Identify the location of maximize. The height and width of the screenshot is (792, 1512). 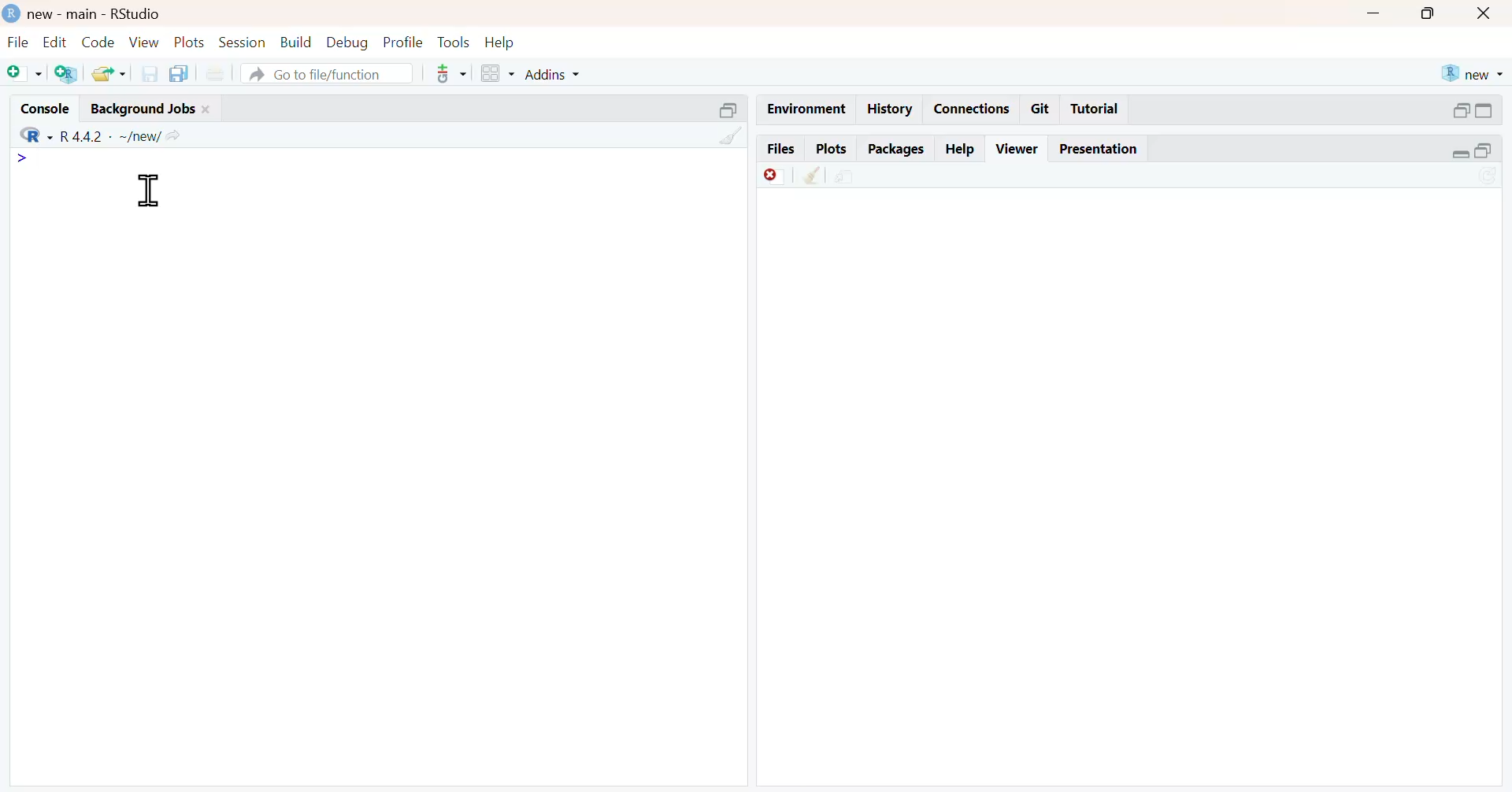
(1494, 110).